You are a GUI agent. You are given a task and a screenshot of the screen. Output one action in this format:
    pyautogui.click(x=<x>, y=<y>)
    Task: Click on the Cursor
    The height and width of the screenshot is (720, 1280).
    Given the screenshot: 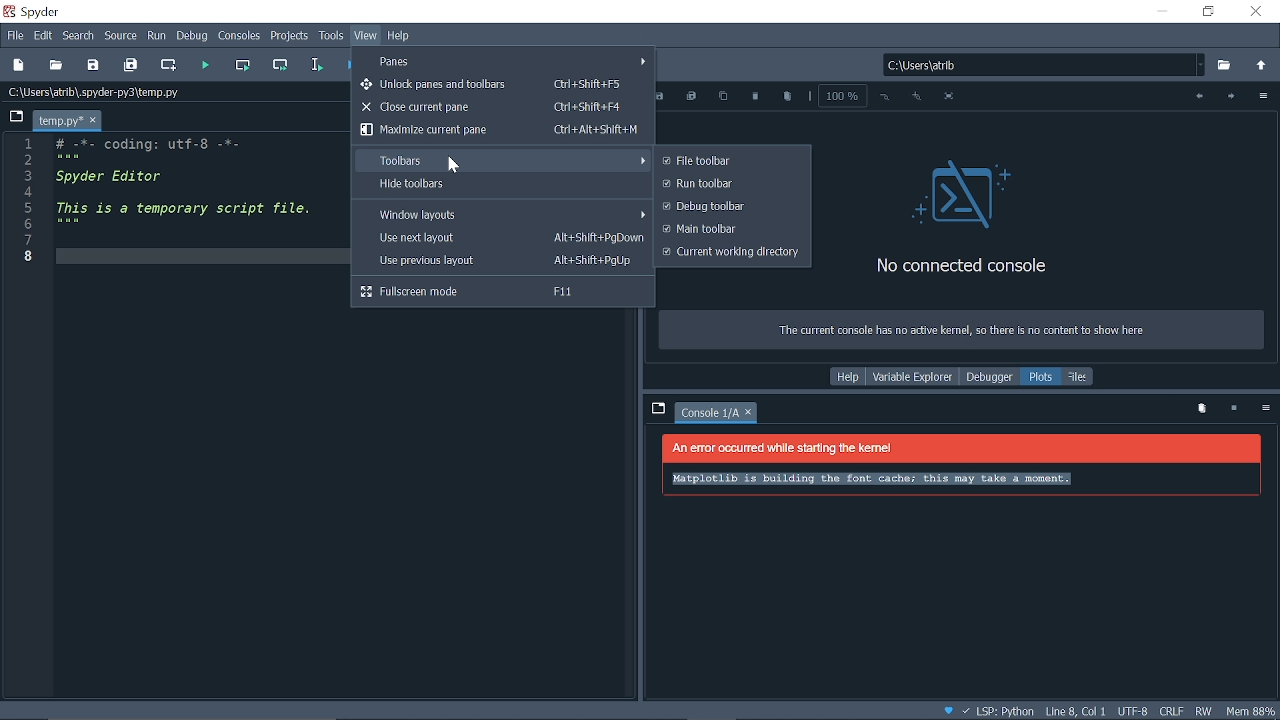 What is the action you would take?
    pyautogui.click(x=452, y=166)
    